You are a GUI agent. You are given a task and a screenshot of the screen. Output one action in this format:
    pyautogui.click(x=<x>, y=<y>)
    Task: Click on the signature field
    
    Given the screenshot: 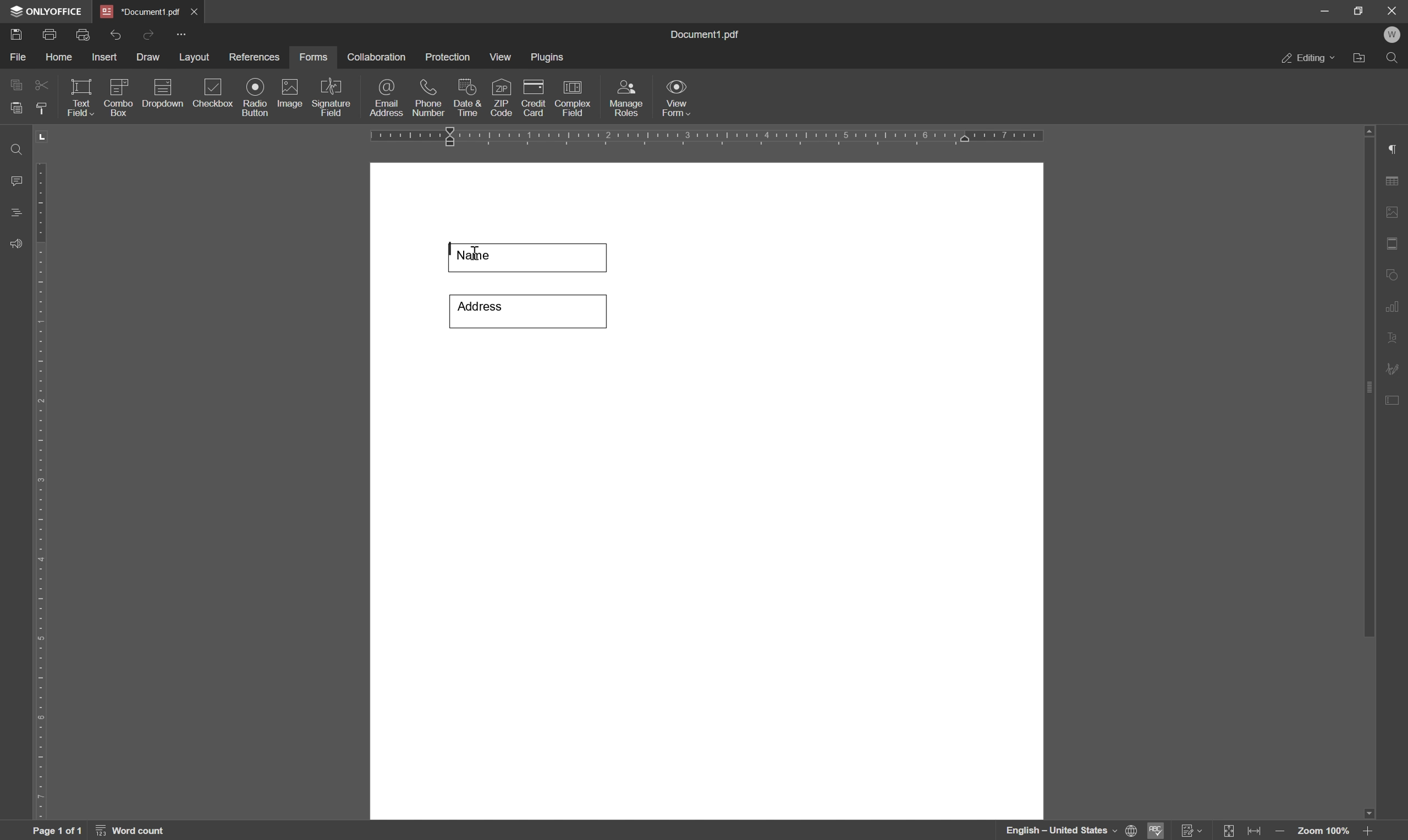 What is the action you would take?
    pyautogui.click(x=333, y=98)
    